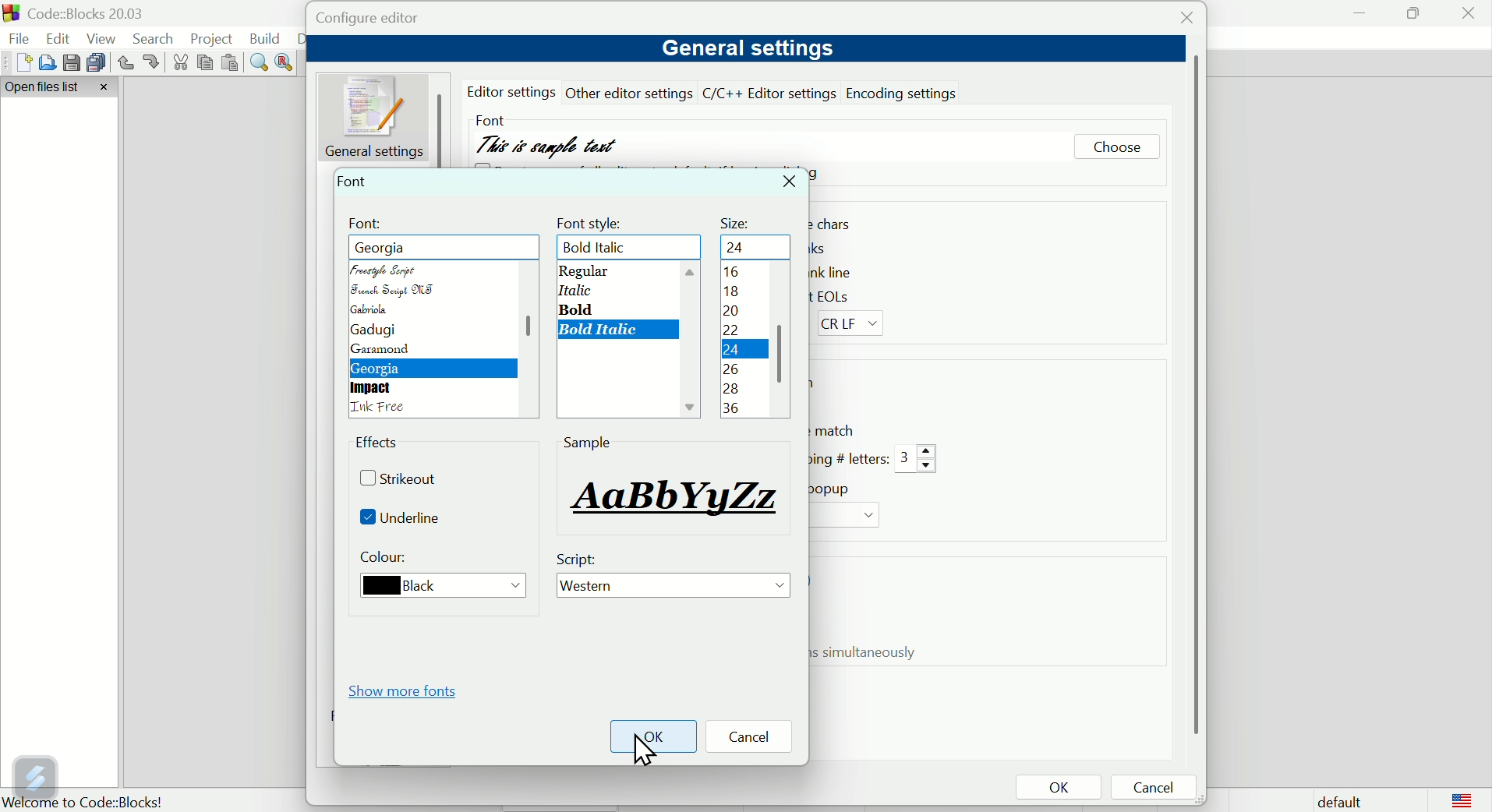 The image size is (1492, 812). What do you see at coordinates (1336, 800) in the screenshot?
I see `Default` at bounding box center [1336, 800].